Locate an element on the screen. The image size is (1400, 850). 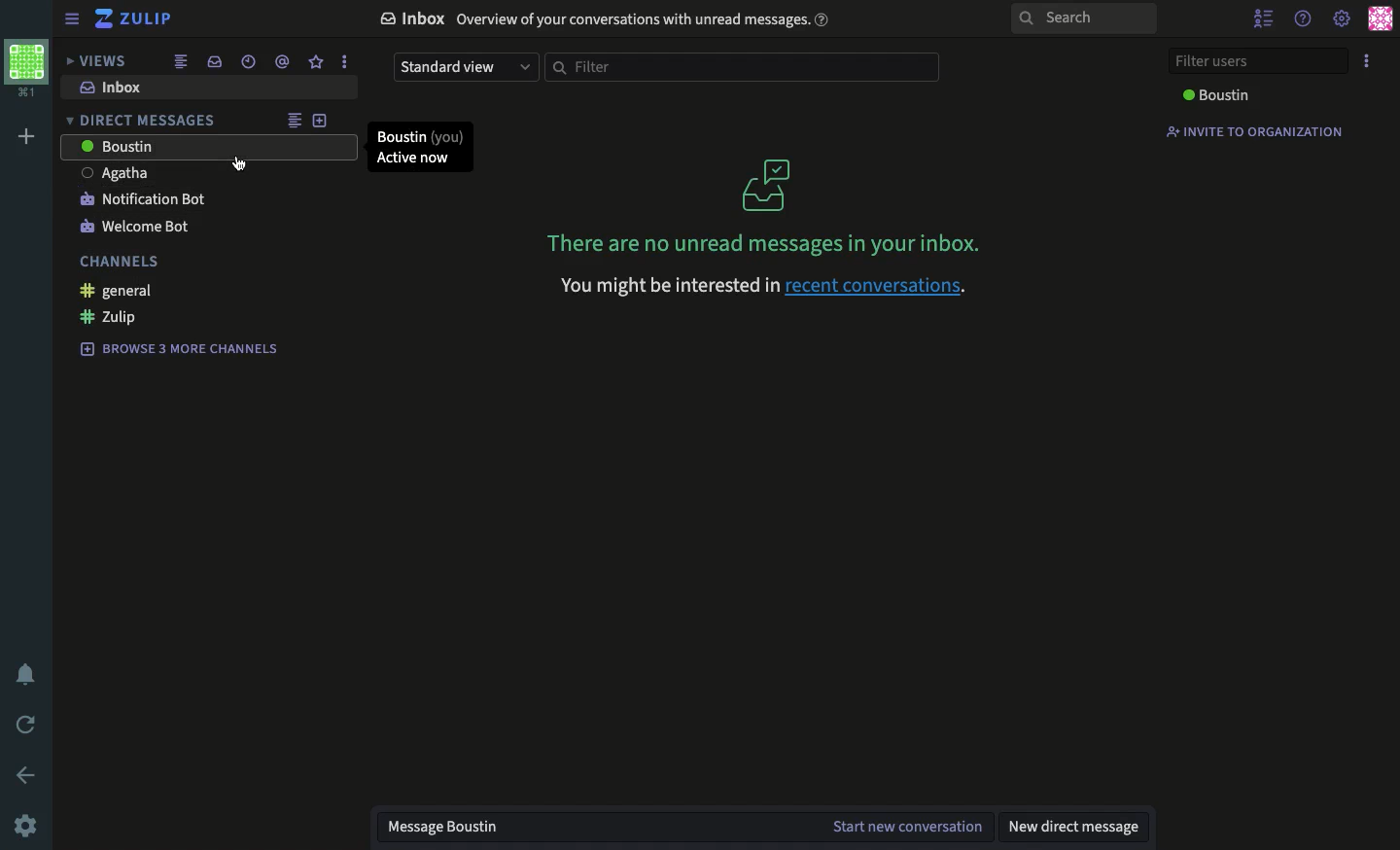
workspace is located at coordinates (26, 69).